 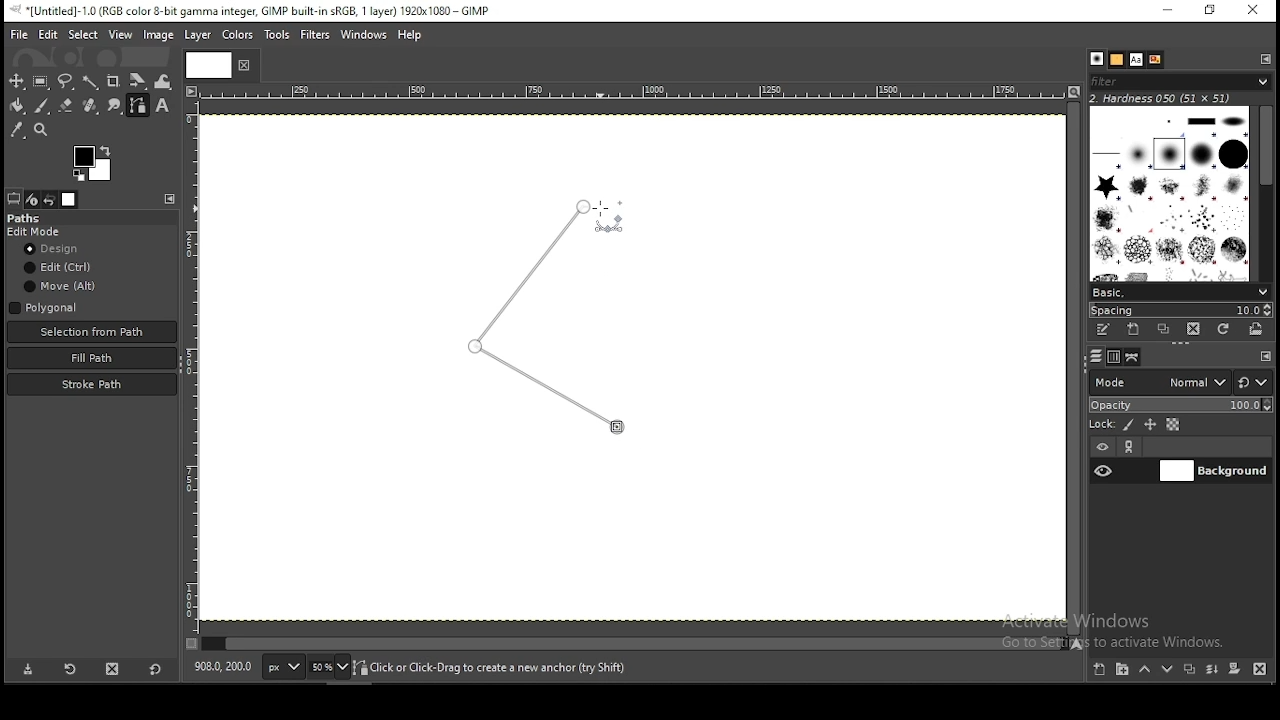 I want to click on select, so click(x=82, y=35).